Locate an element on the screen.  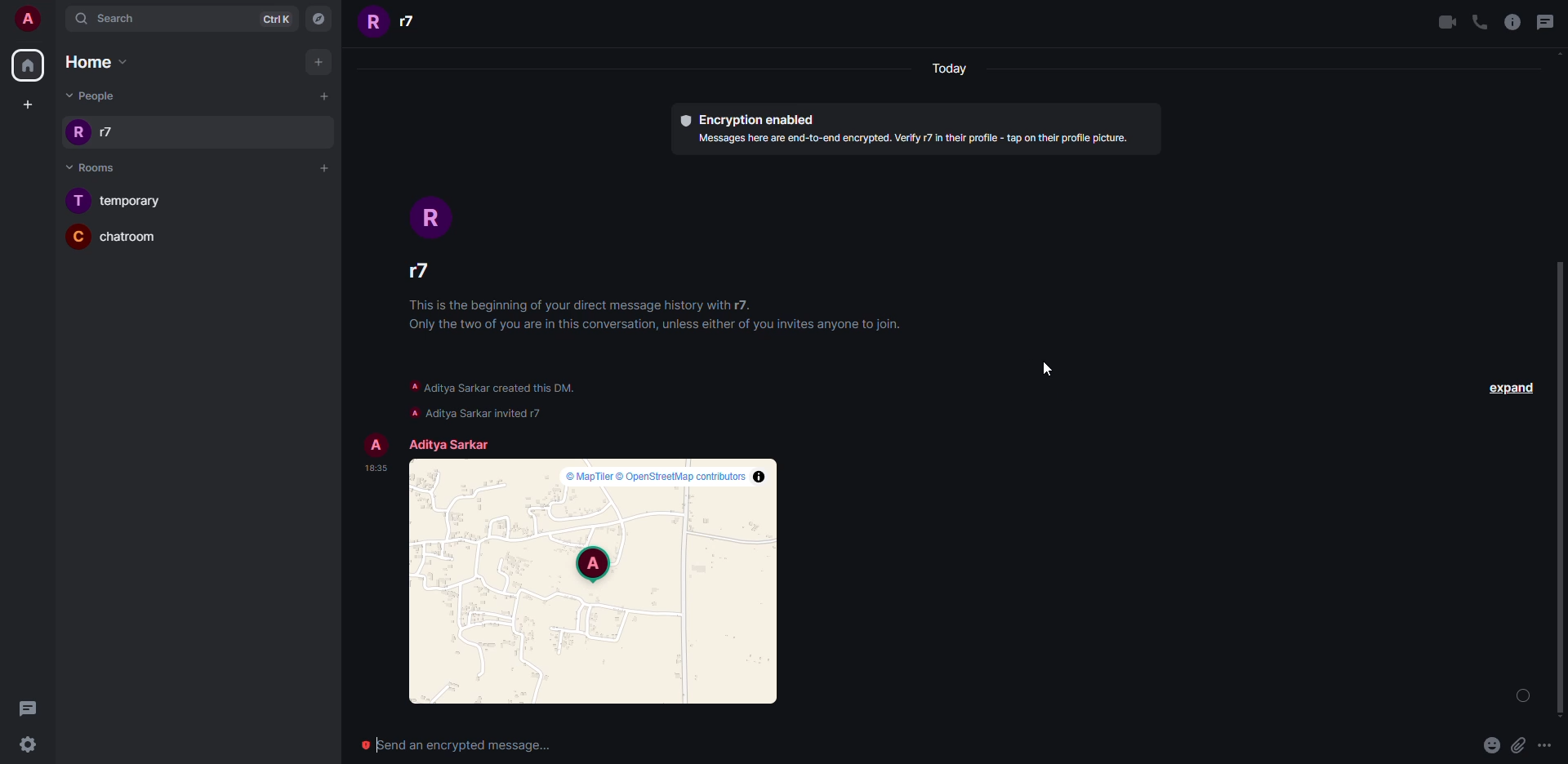
Home is located at coordinates (96, 63).